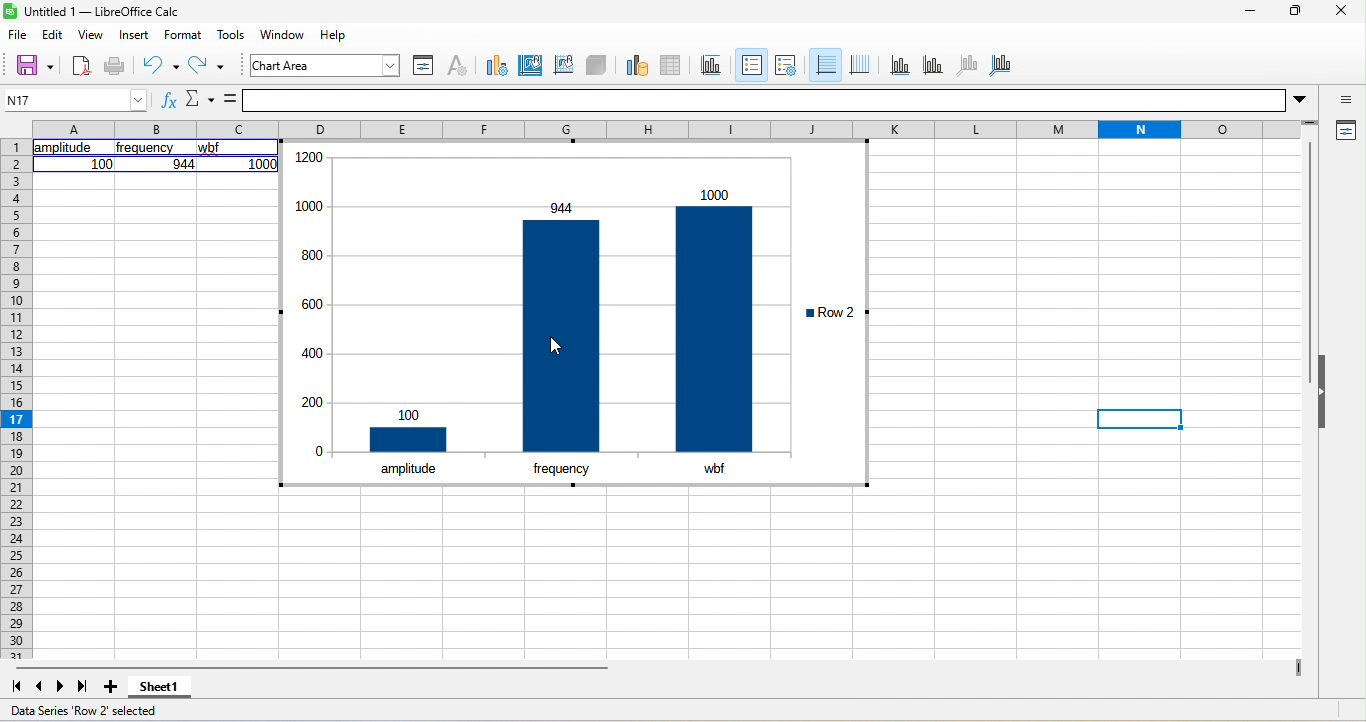 The image size is (1366, 722). I want to click on chart type, so click(495, 67).